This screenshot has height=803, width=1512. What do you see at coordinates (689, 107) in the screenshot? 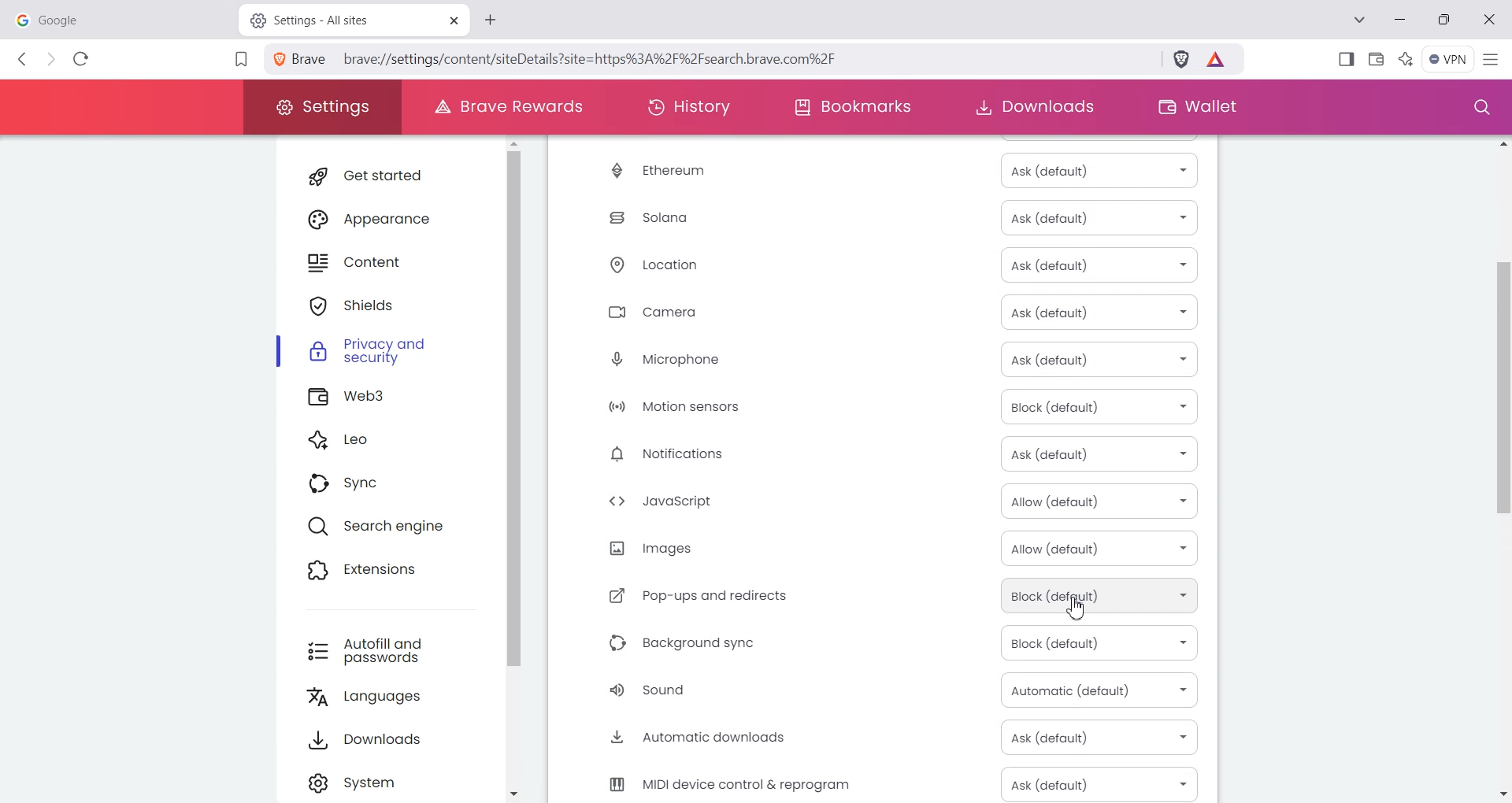
I see `History` at bounding box center [689, 107].